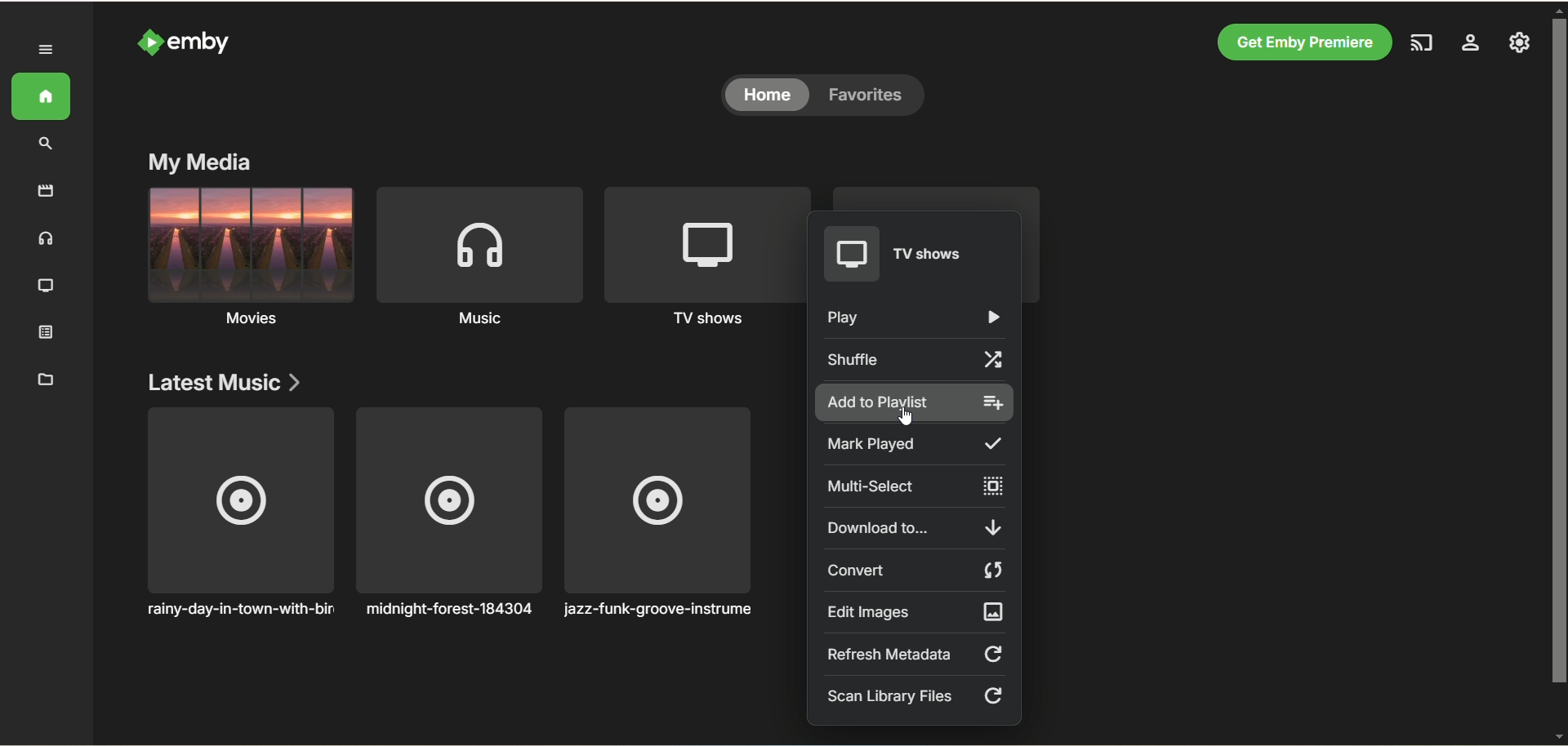  I want to click on manage emby server, so click(1521, 44).